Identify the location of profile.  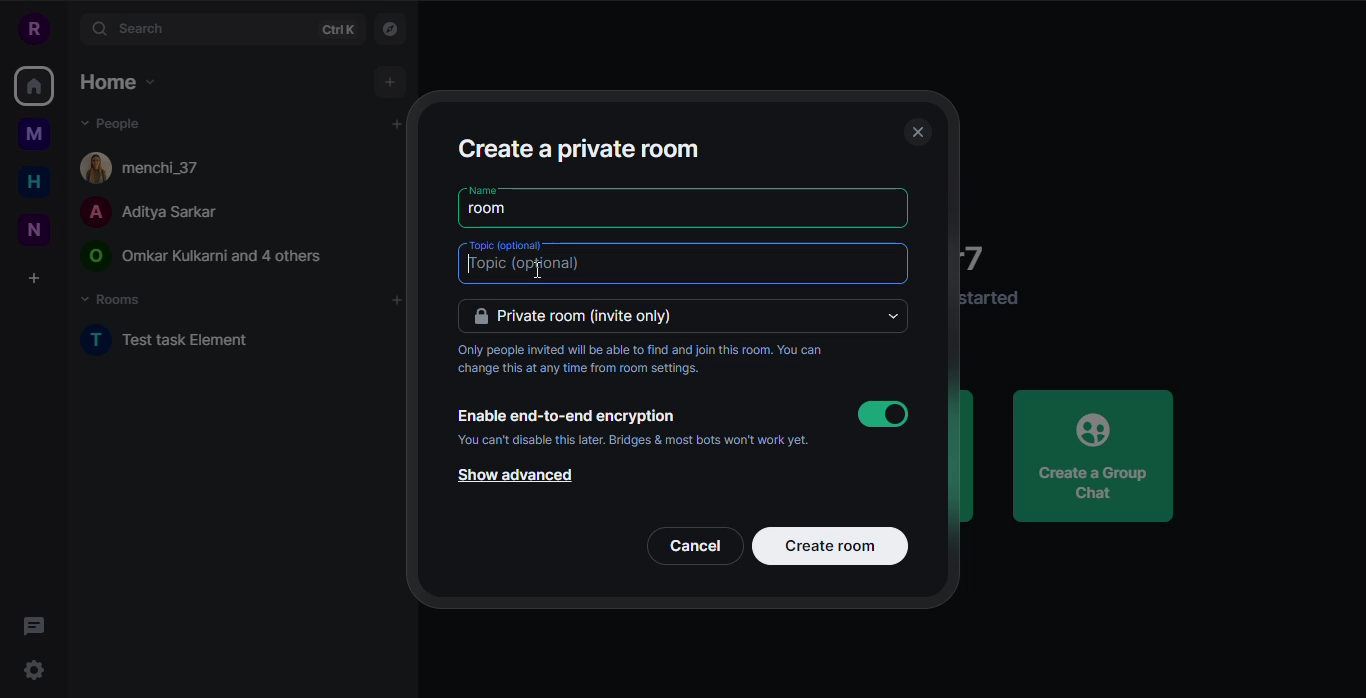
(32, 27).